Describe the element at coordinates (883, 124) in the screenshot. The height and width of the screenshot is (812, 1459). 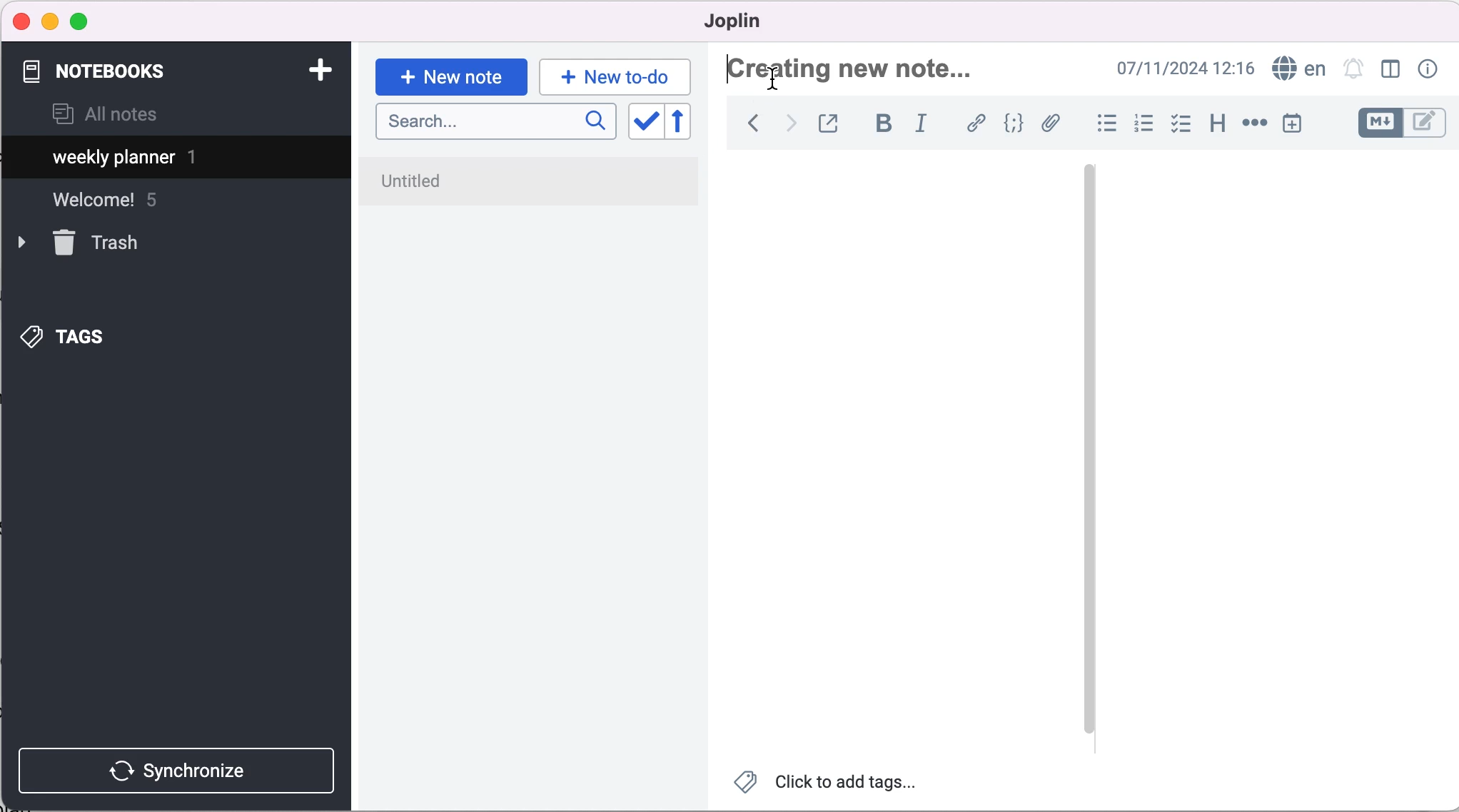
I see `bold` at that location.